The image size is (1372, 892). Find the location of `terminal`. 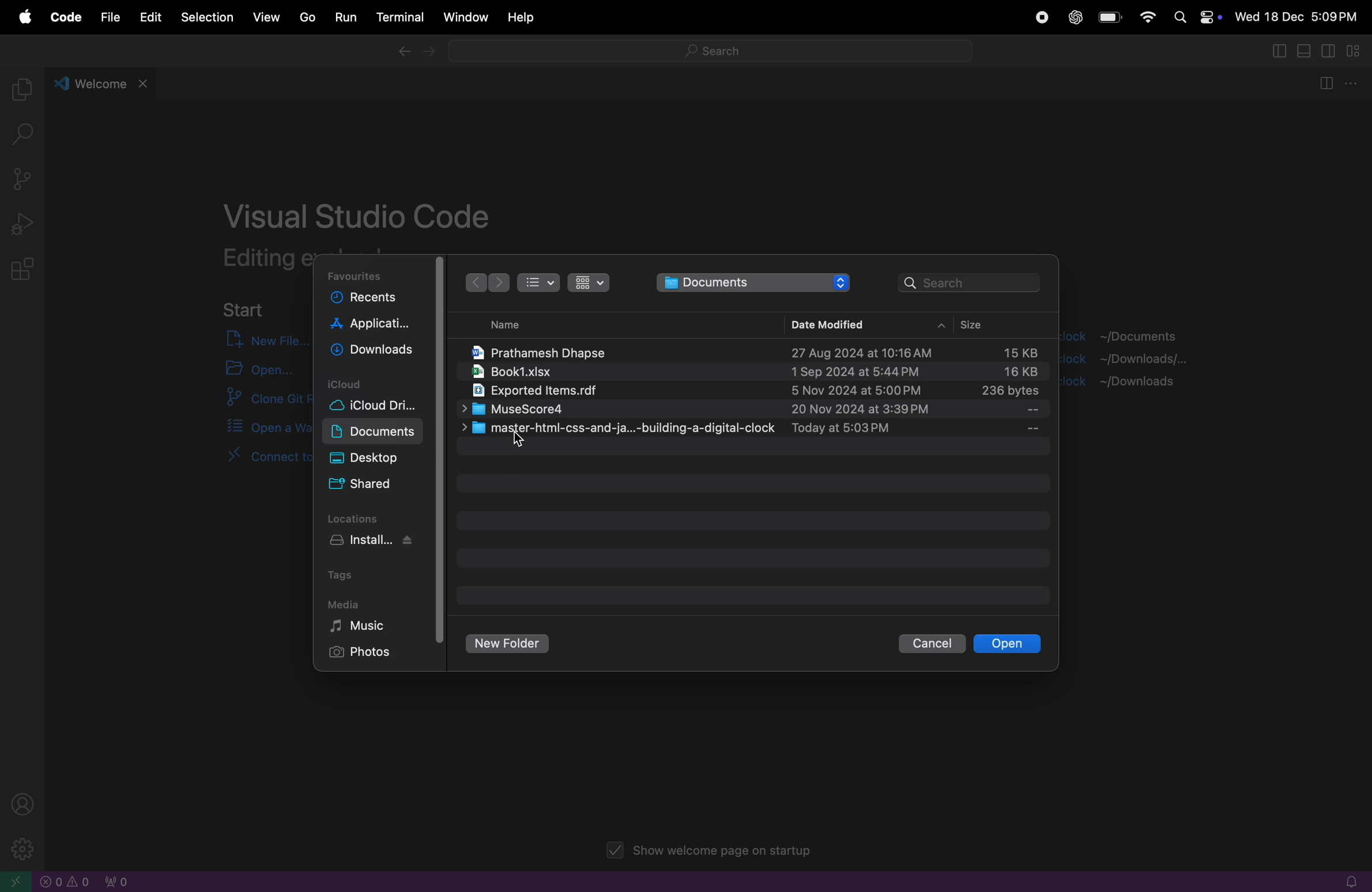

terminal is located at coordinates (398, 18).